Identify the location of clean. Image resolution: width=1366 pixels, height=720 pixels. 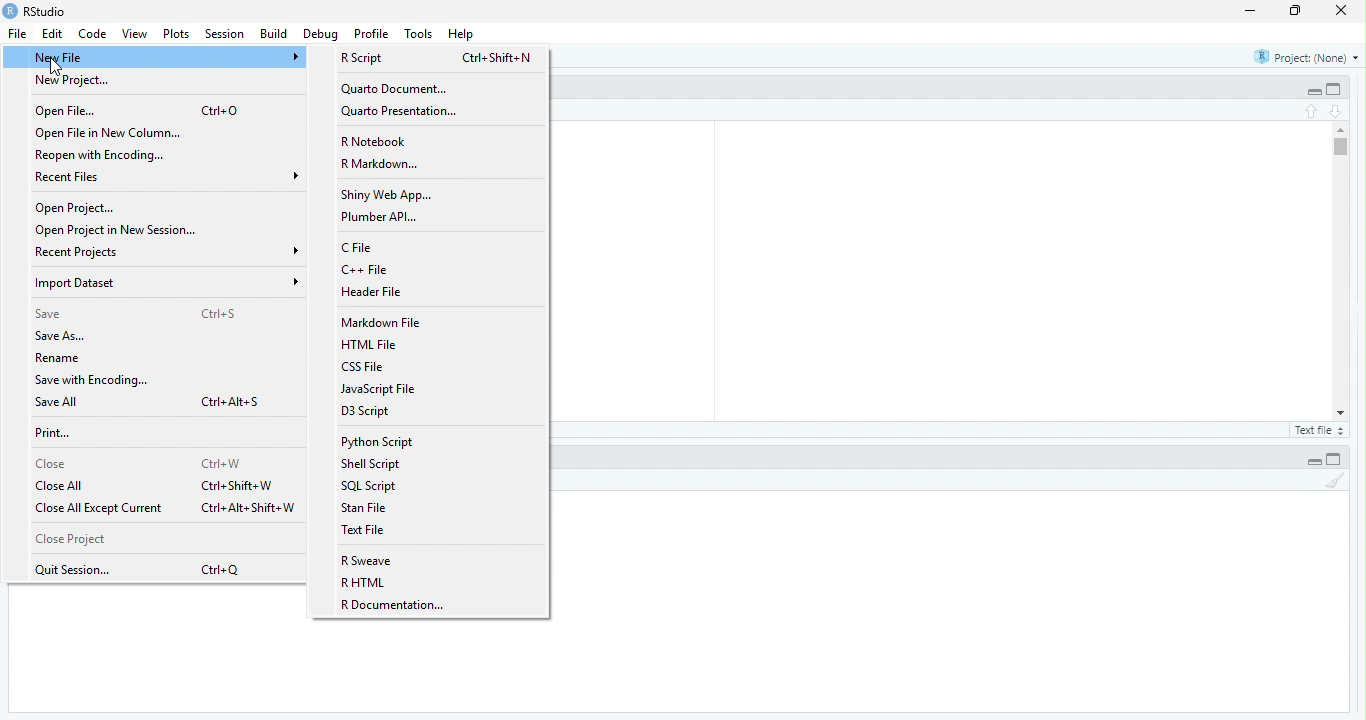
(1335, 480).